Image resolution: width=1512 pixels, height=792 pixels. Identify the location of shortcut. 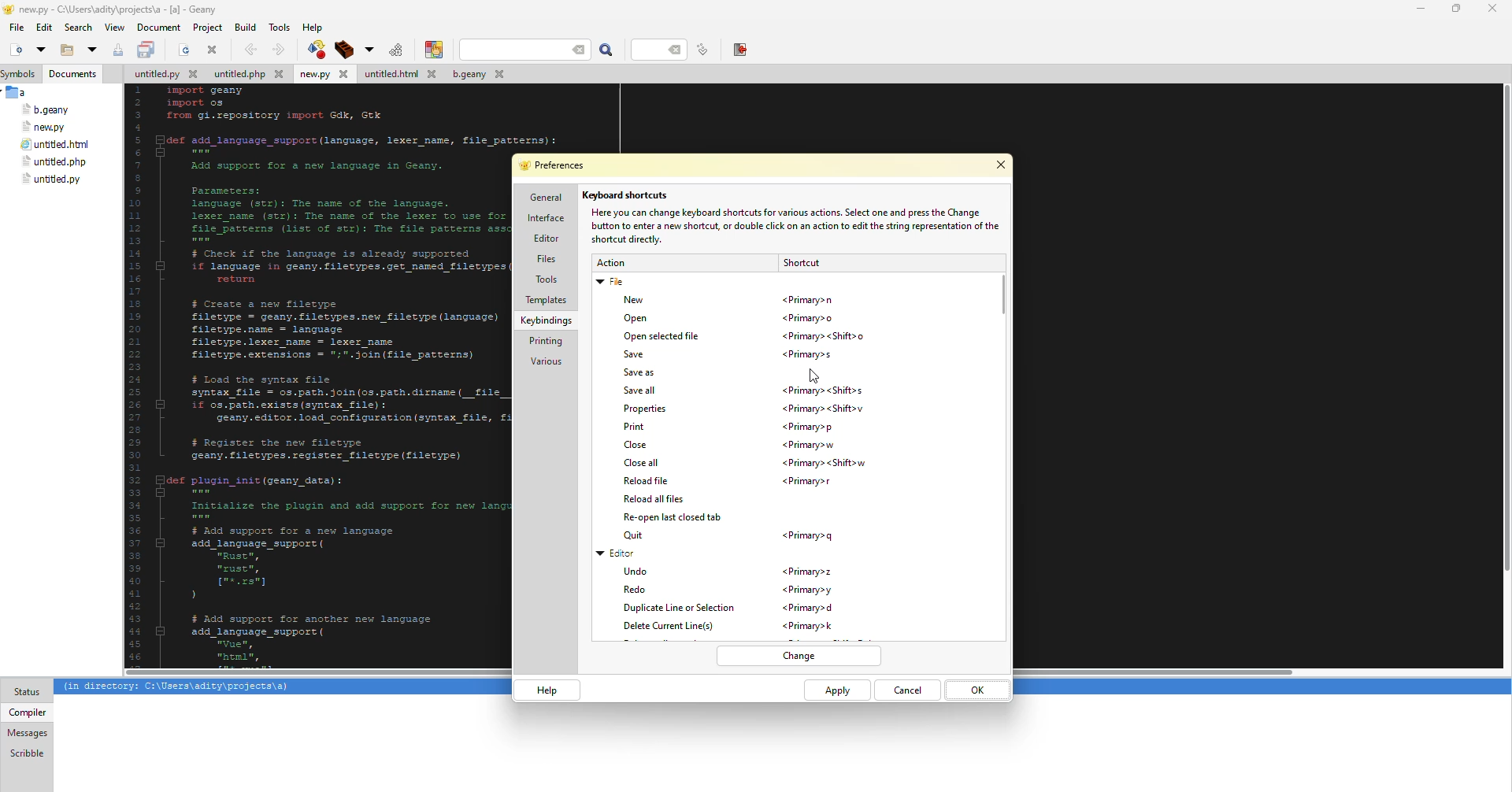
(800, 263).